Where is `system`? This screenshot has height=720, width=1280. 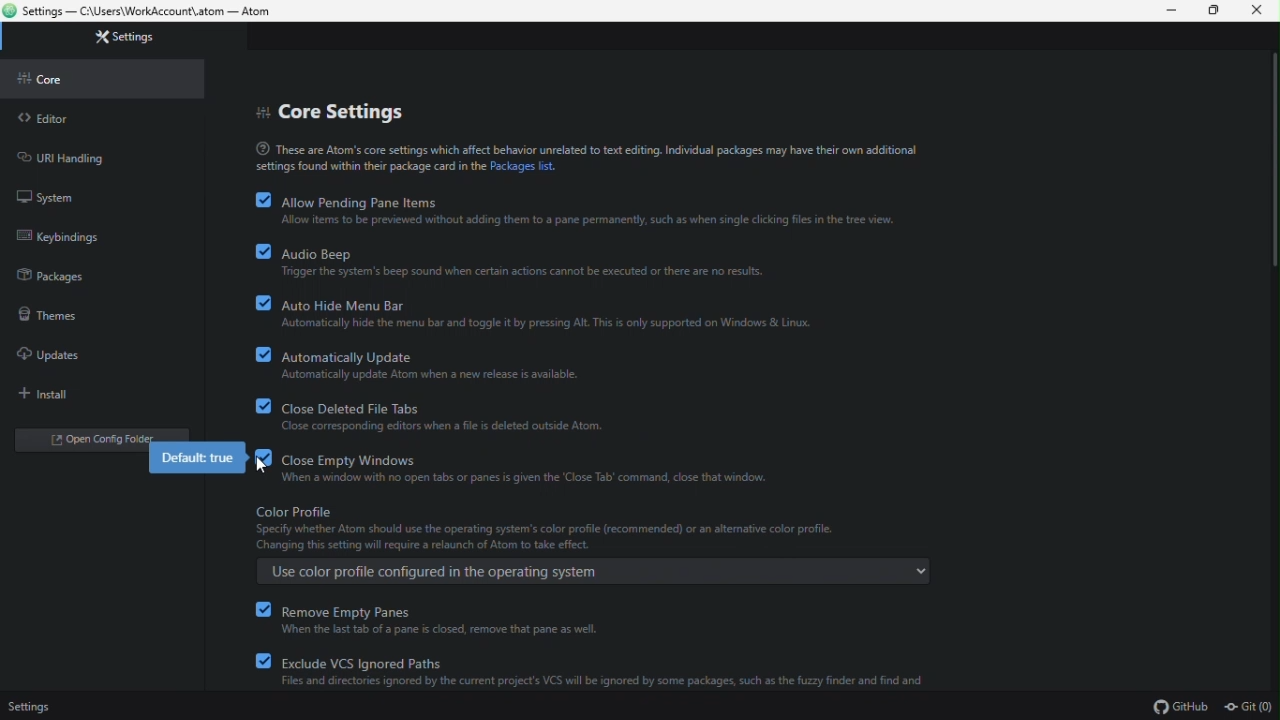 system is located at coordinates (43, 196).